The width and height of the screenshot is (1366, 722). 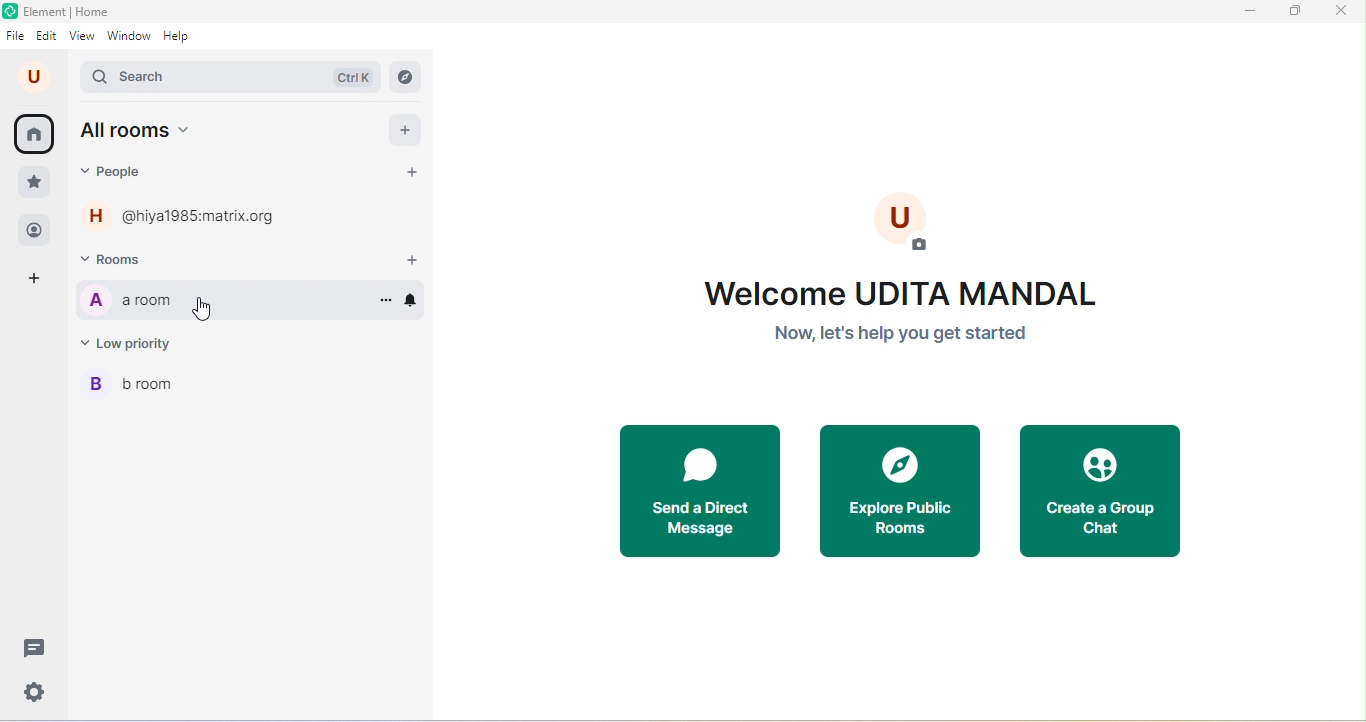 I want to click on rooms, so click(x=116, y=257).